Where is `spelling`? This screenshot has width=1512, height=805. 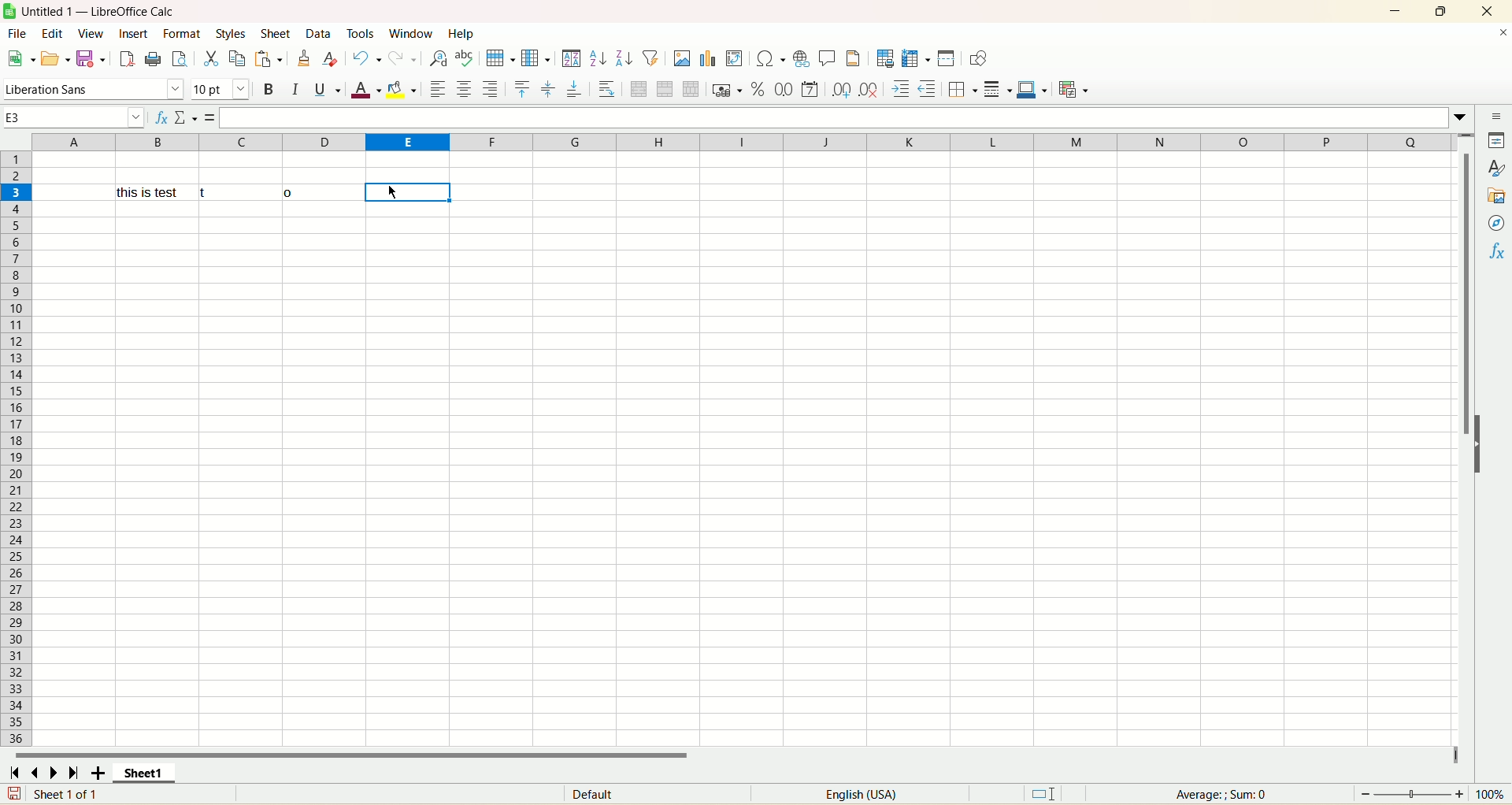 spelling is located at coordinates (465, 57).